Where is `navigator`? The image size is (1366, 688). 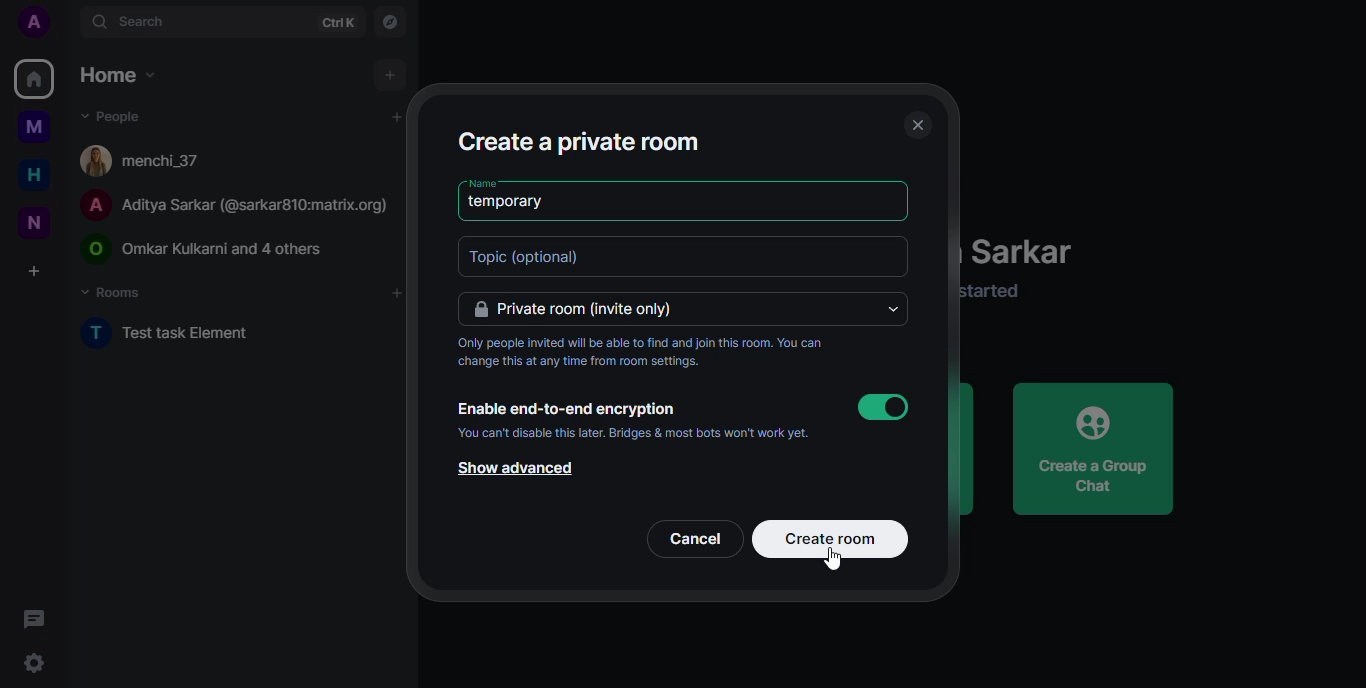 navigator is located at coordinates (389, 21).